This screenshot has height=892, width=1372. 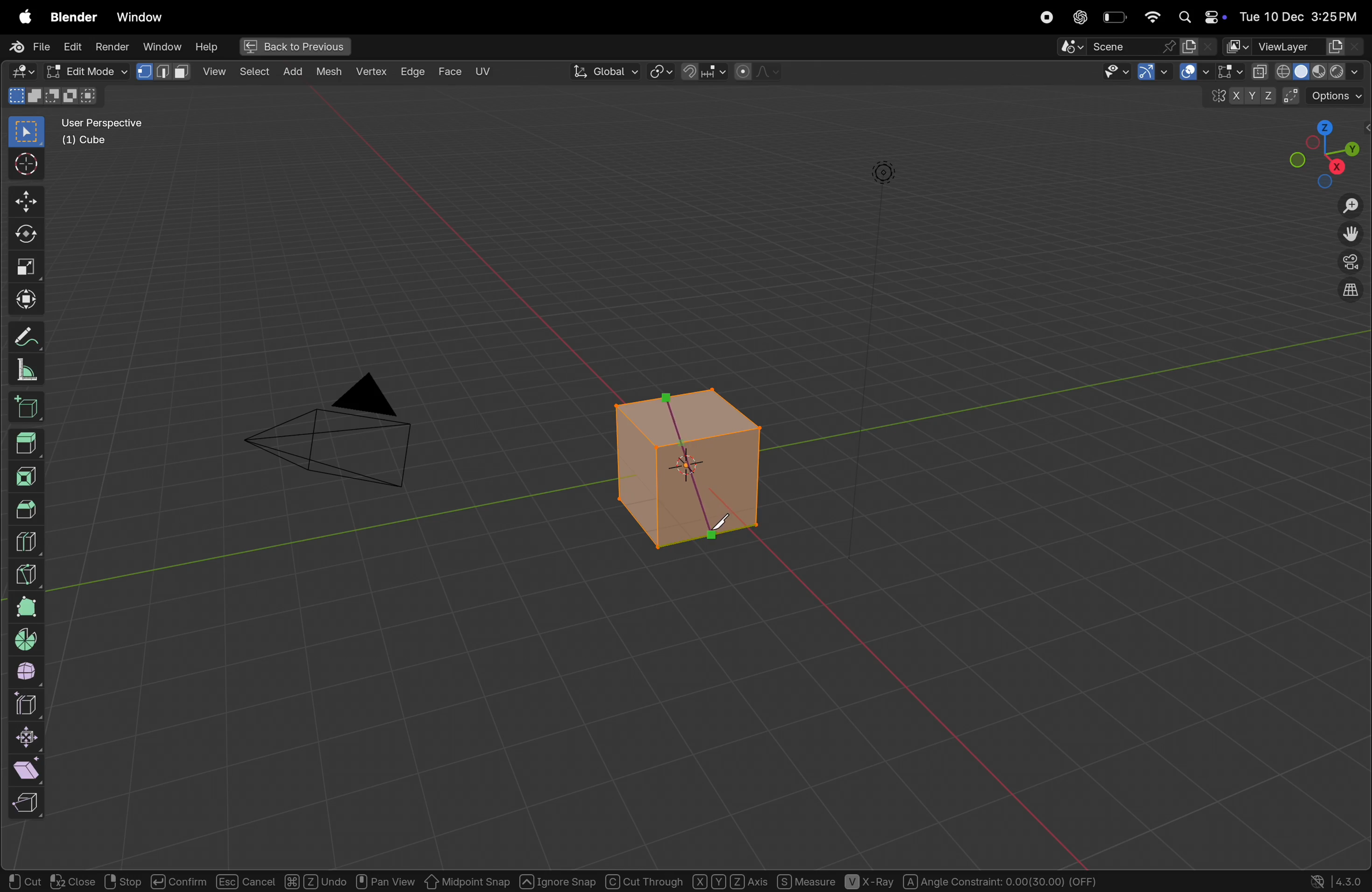 I want to click on camera, so click(x=341, y=438).